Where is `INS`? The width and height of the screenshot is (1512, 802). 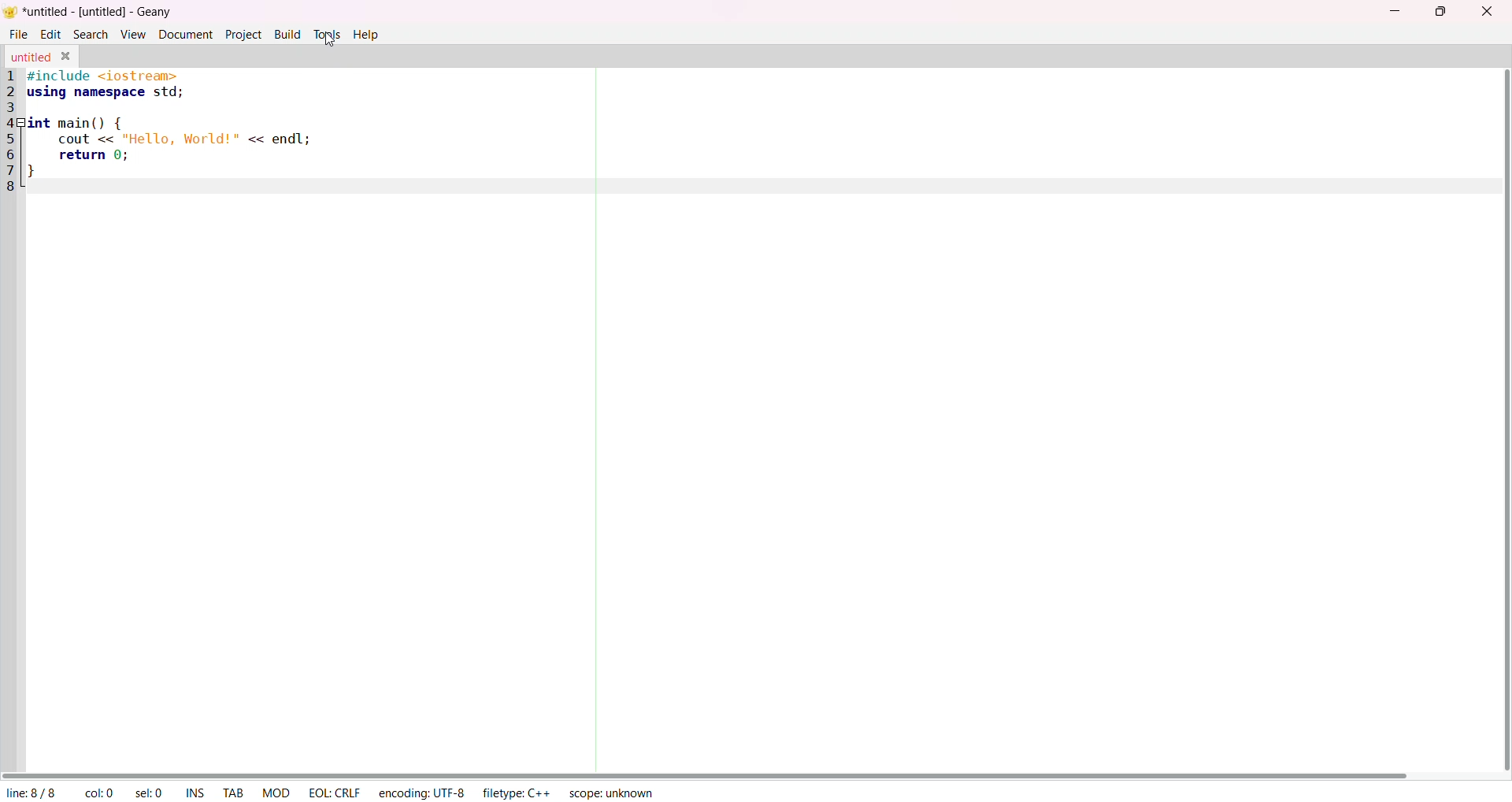
INS is located at coordinates (198, 793).